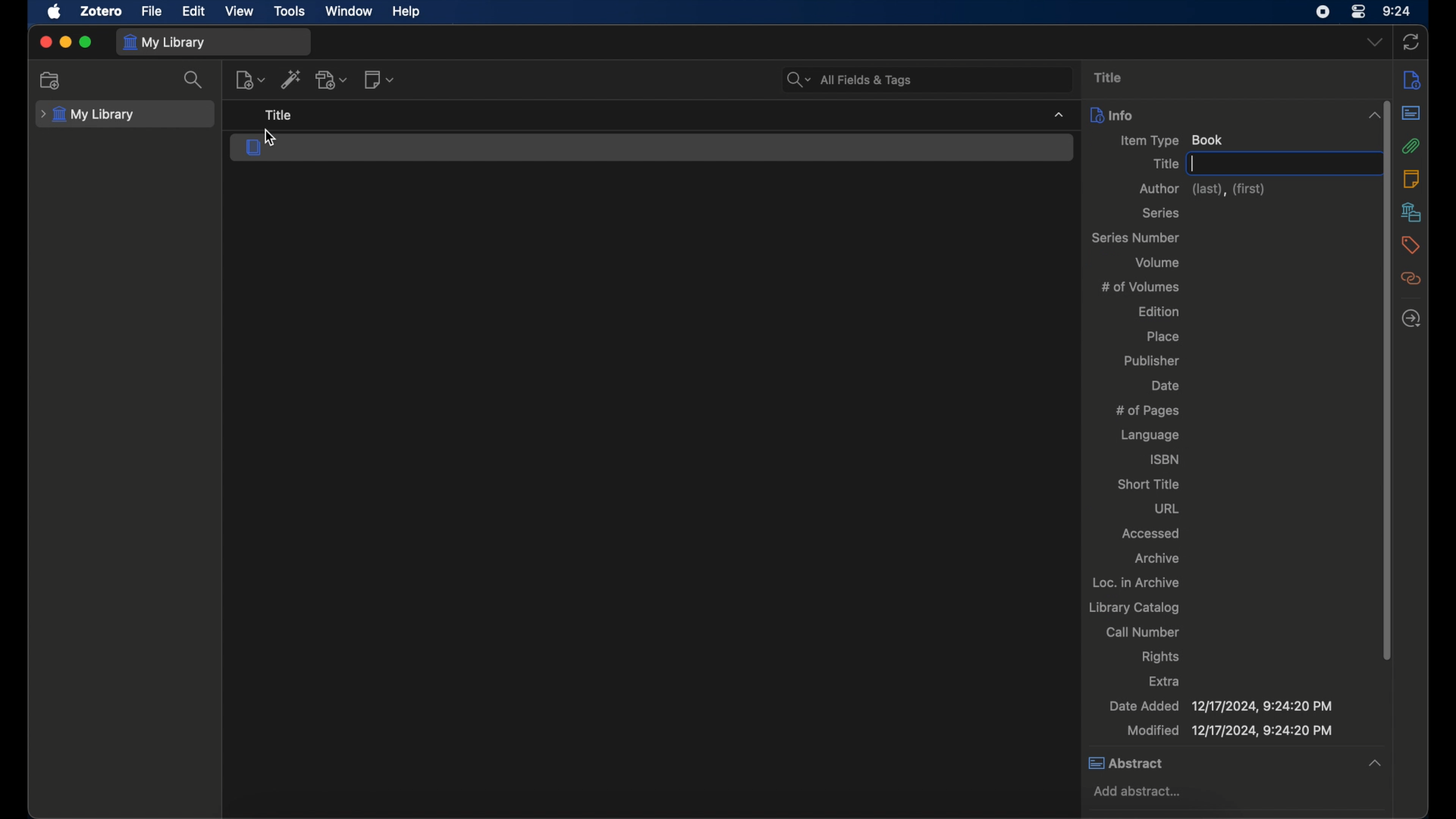  Describe the element at coordinates (1323, 12) in the screenshot. I see `screen recorder` at that location.